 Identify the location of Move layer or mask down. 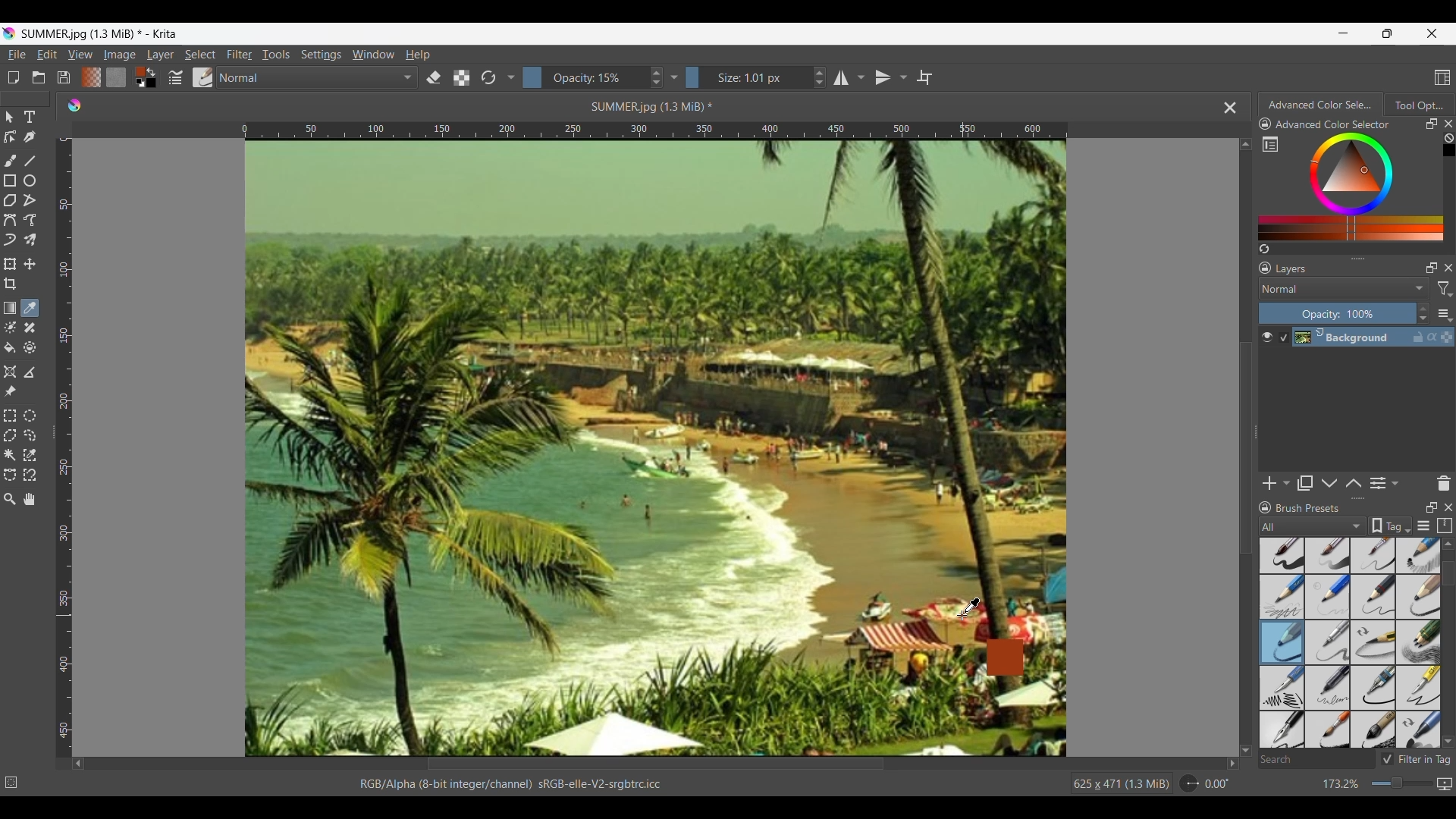
(1329, 484).